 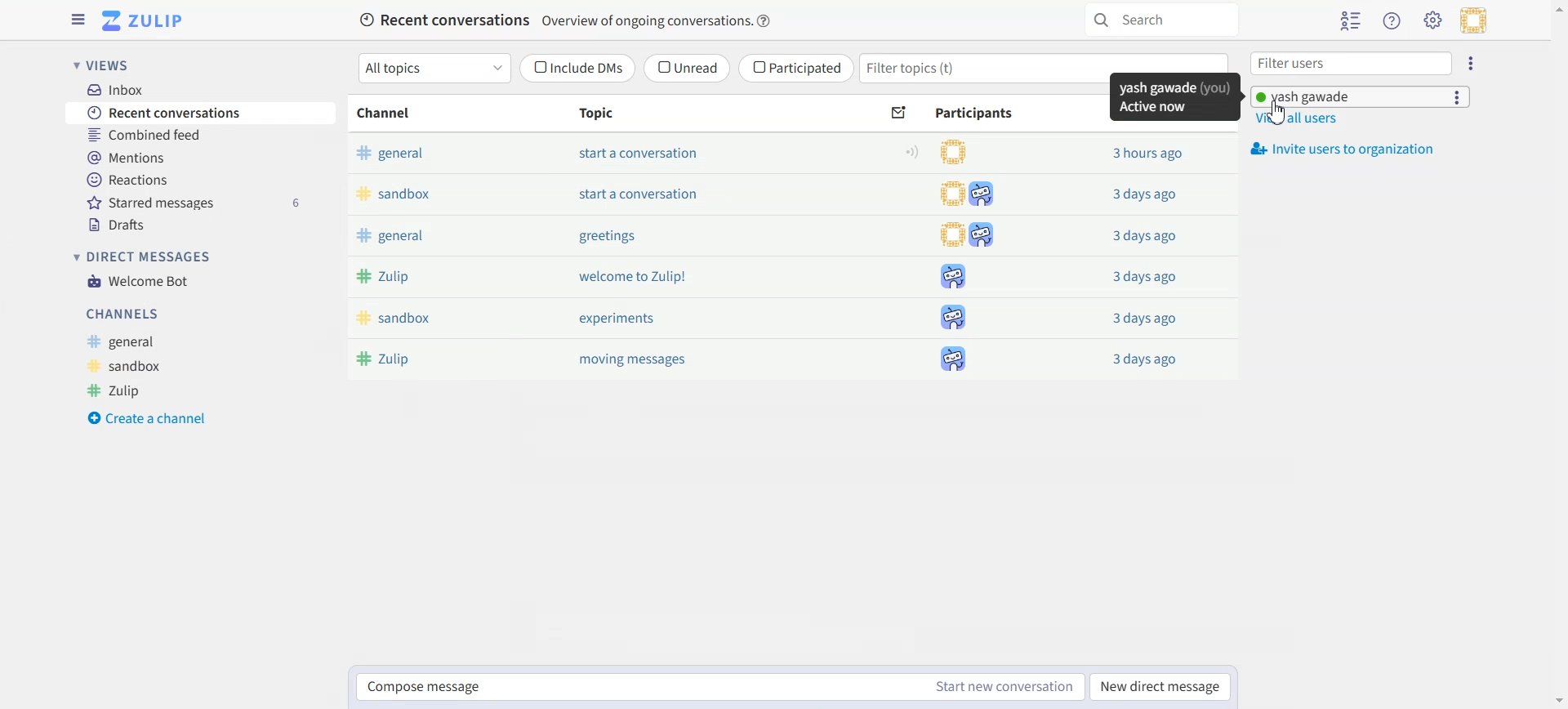 What do you see at coordinates (553, 20) in the screenshot?
I see `Recent conversations Overview of ongoing conversations.` at bounding box center [553, 20].